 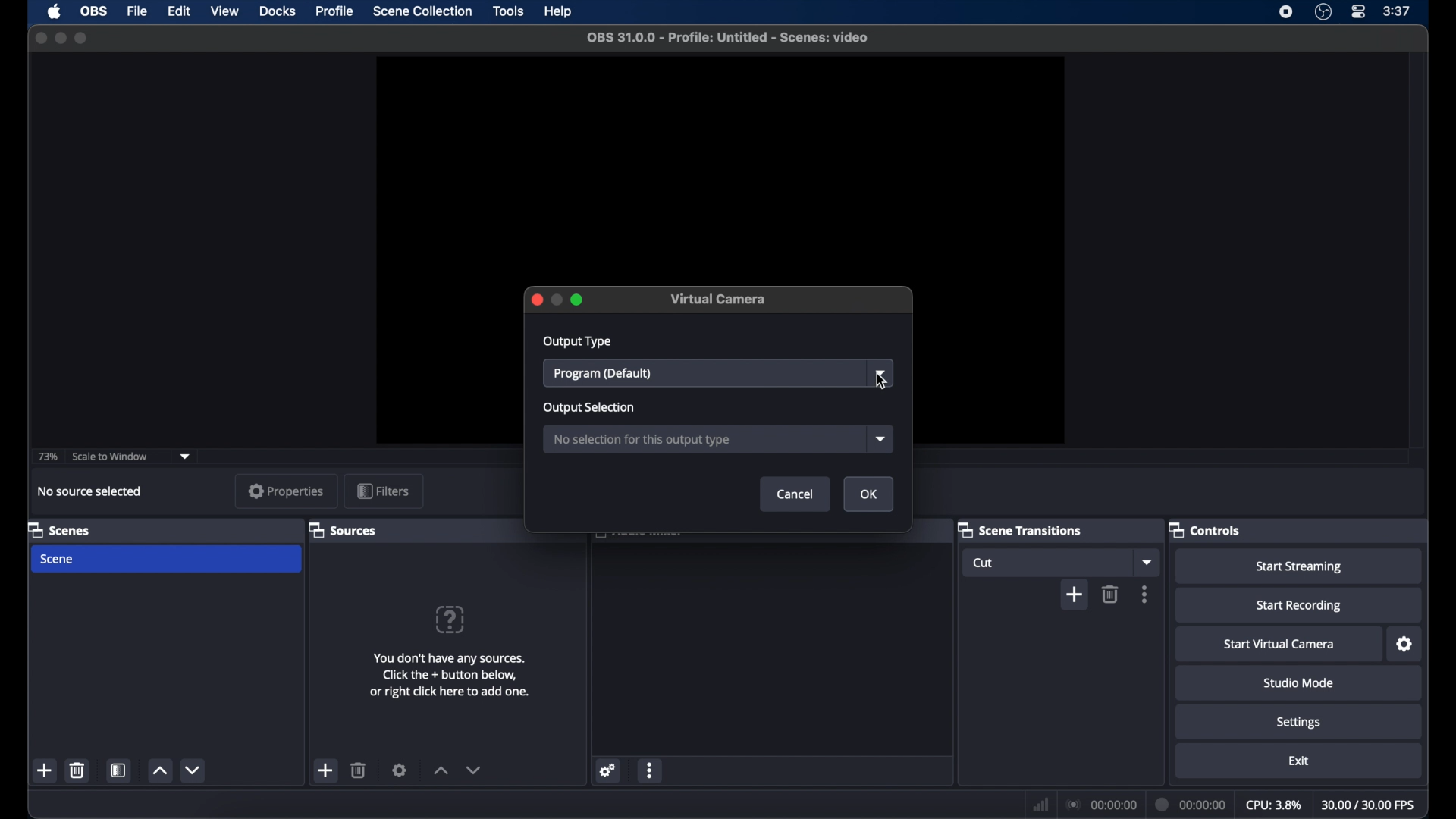 I want to click on settings, so click(x=1298, y=723).